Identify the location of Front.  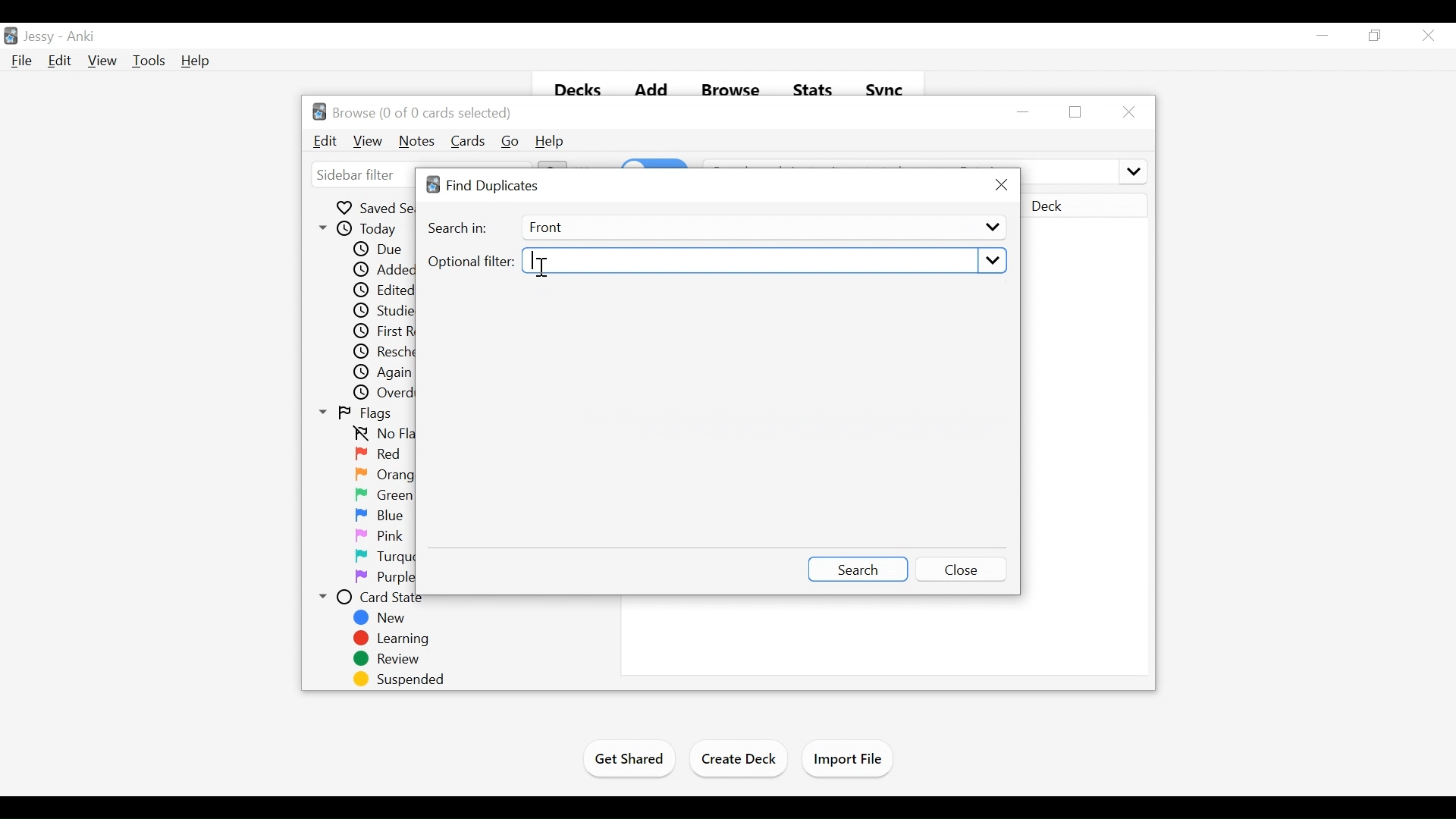
(761, 227).